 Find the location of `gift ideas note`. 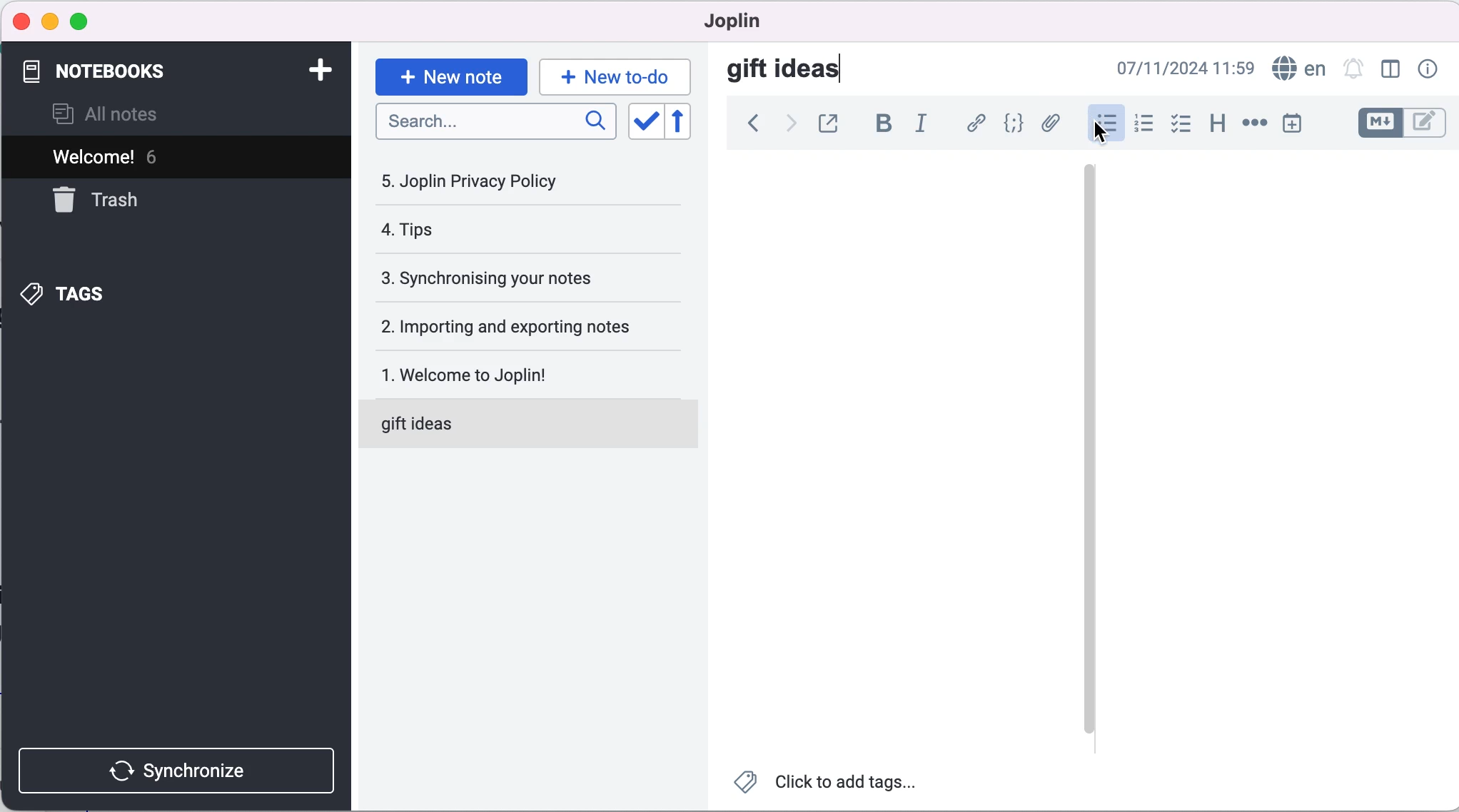

gift ideas note is located at coordinates (513, 425).